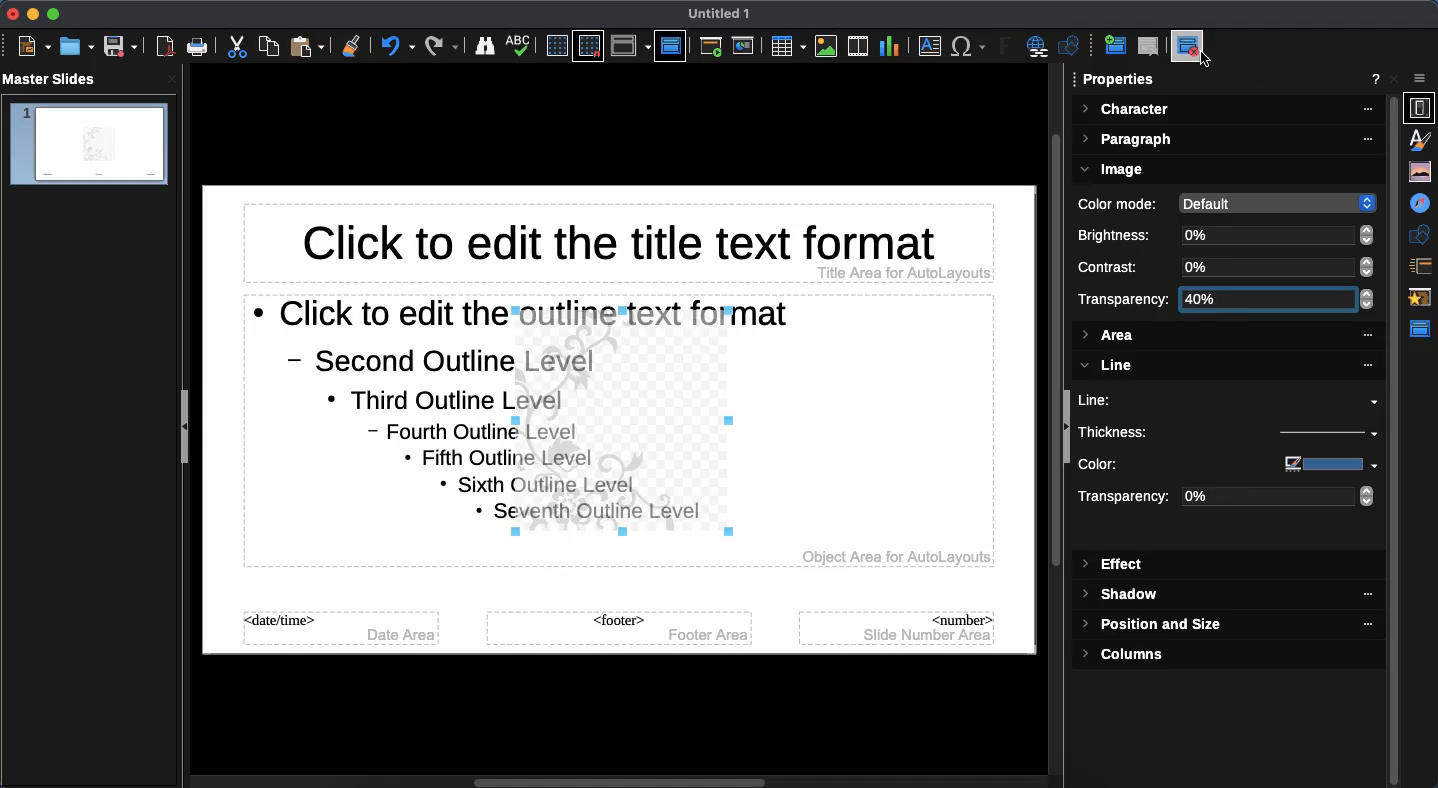  What do you see at coordinates (617, 247) in the screenshot?
I see `Master slide title` at bounding box center [617, 247].